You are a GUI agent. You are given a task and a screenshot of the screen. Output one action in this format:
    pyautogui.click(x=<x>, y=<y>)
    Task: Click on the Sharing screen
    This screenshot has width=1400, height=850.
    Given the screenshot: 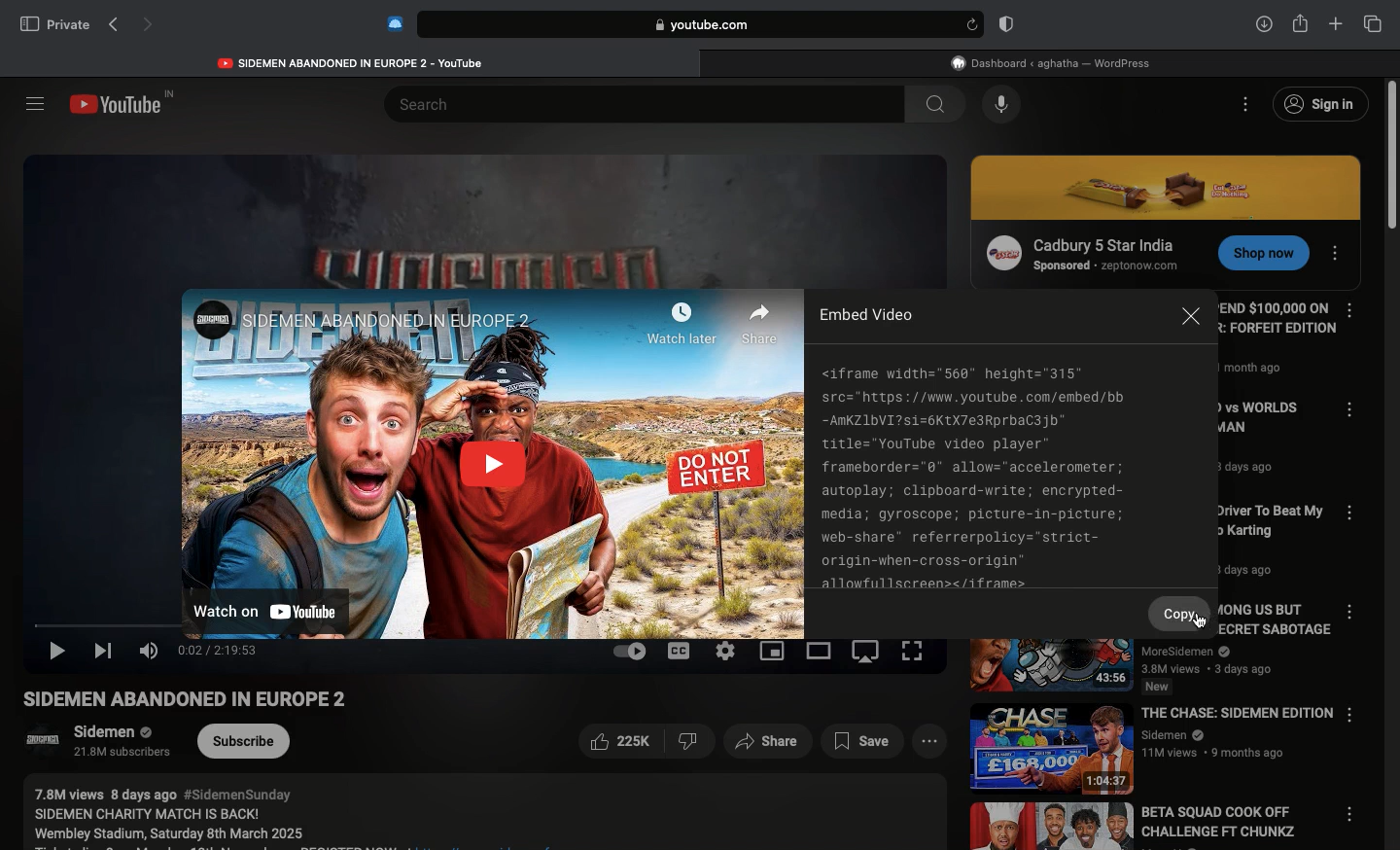 What is the action you would take?
    pyautogui.click(x=775, y=652)
    